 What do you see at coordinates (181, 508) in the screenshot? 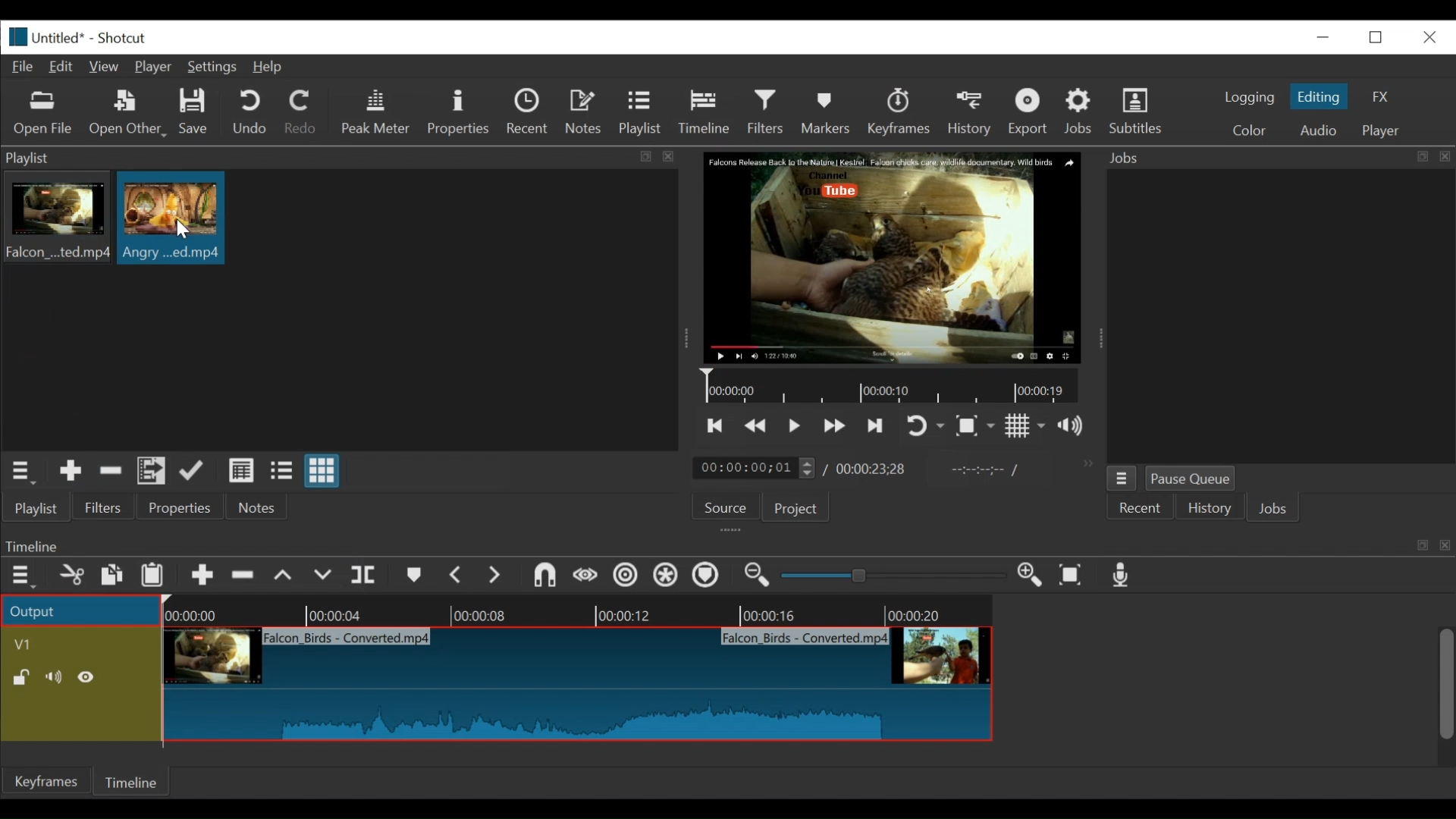
I see `properties` at bounding box center [181, 508].